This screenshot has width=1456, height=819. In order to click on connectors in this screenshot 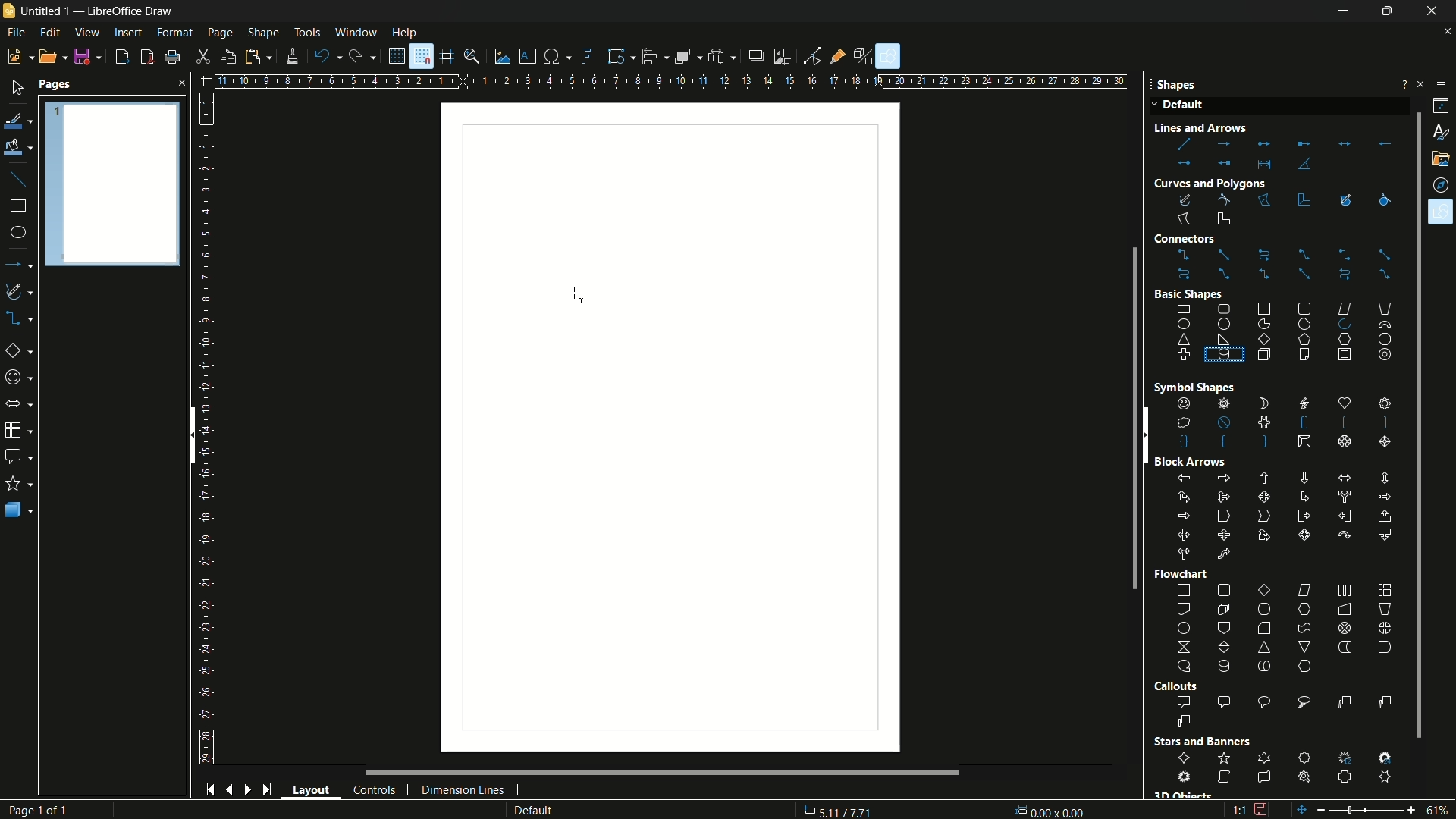, I will do `click(22, 318)`.